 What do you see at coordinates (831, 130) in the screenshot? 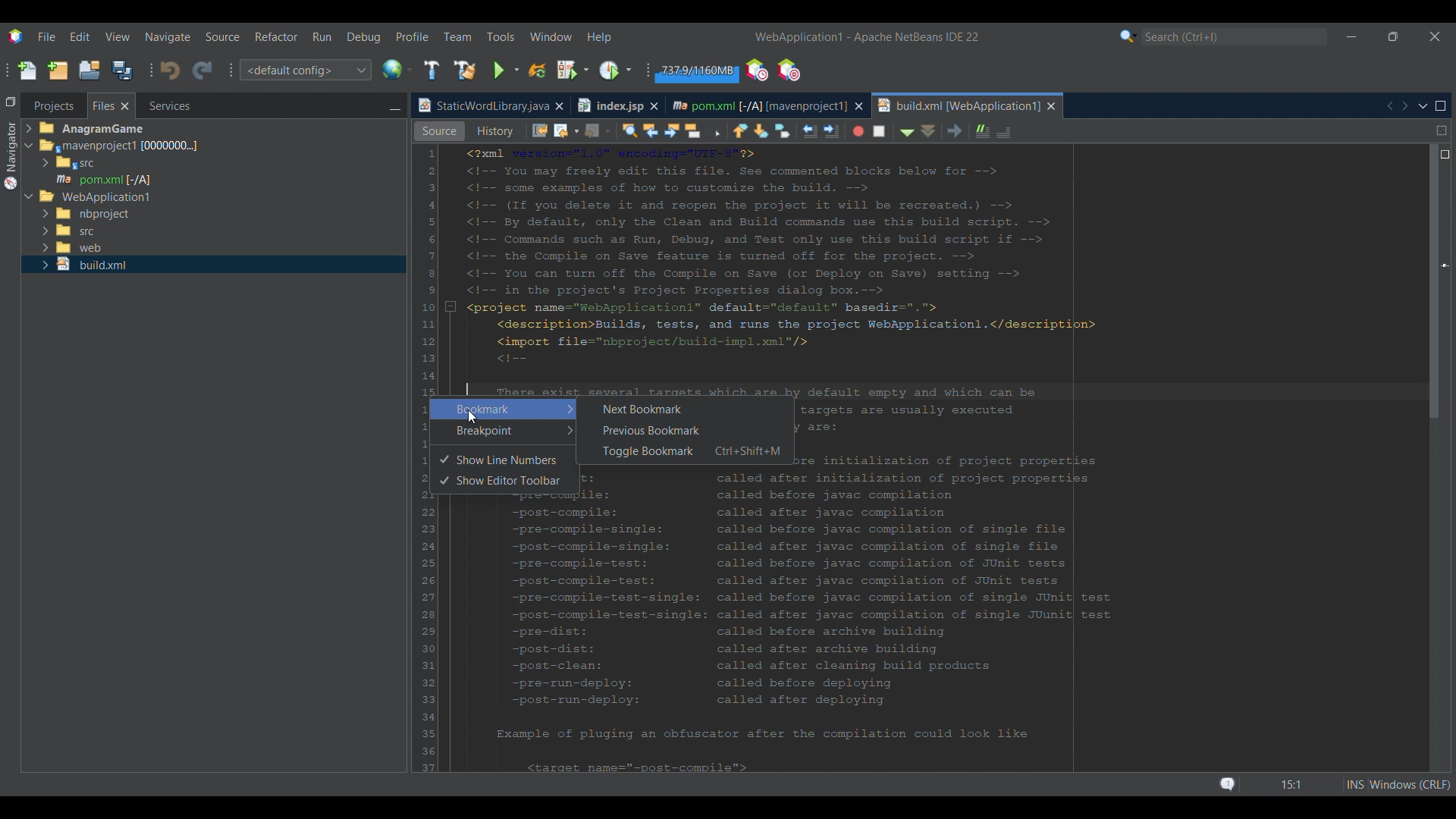
I see `Toggle highlight search` at bounding box center [831, 130].